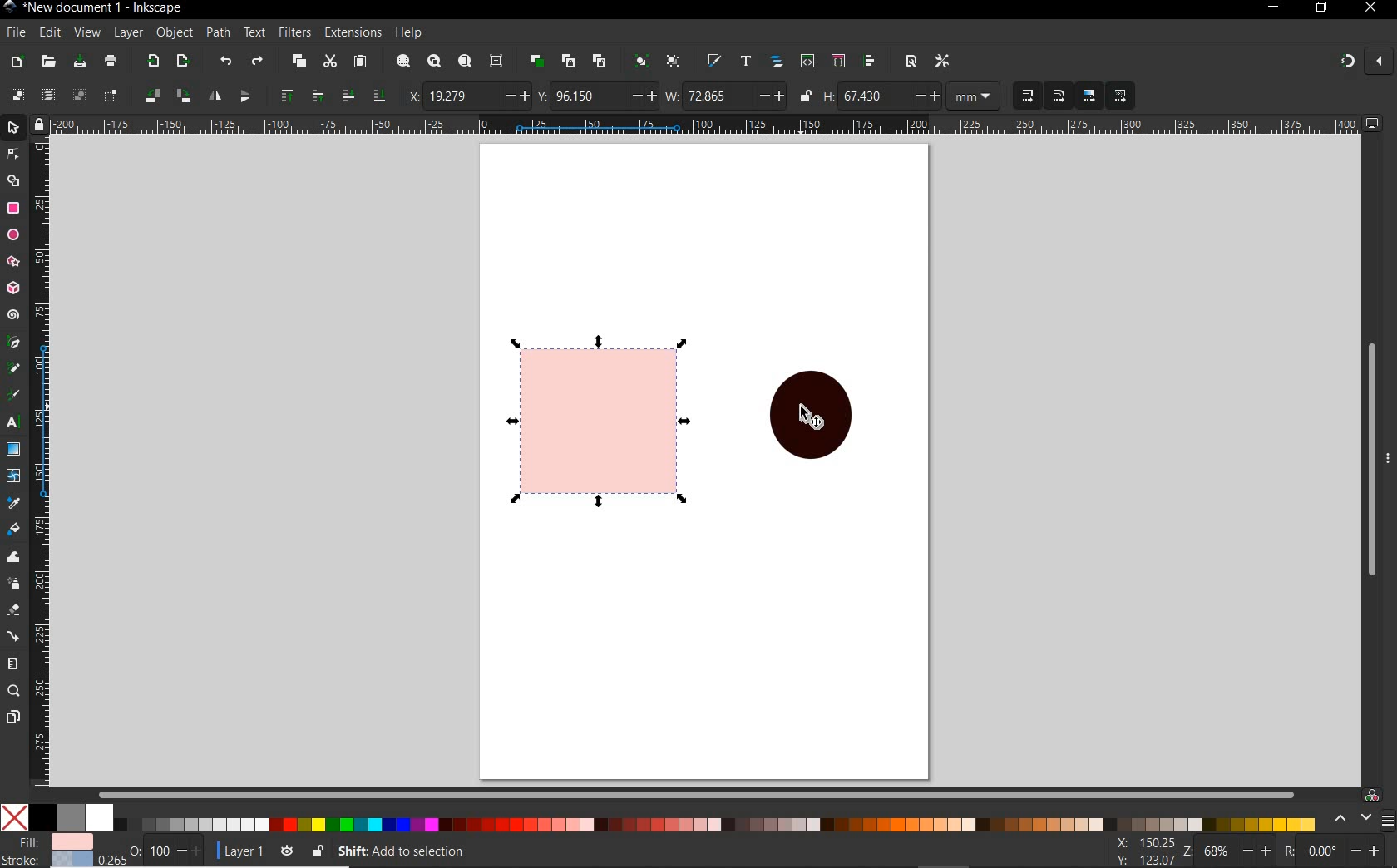 The width and height of the screenshot is (1397, 868). Describe the element at coordinates (257, 61) in the screenshot. I see `redo` at that location.